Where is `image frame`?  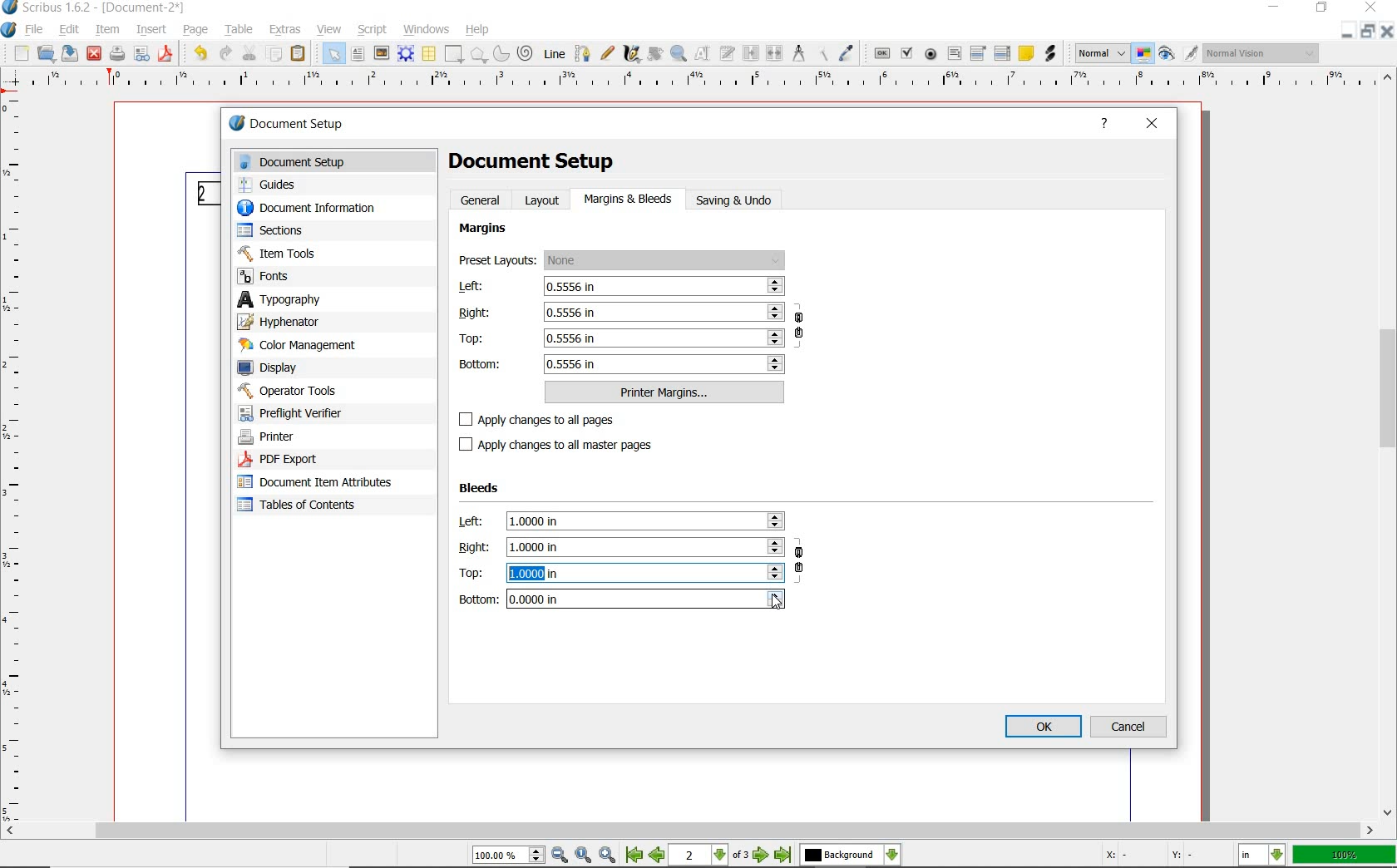 image frame is located at coordinates (380, 54).